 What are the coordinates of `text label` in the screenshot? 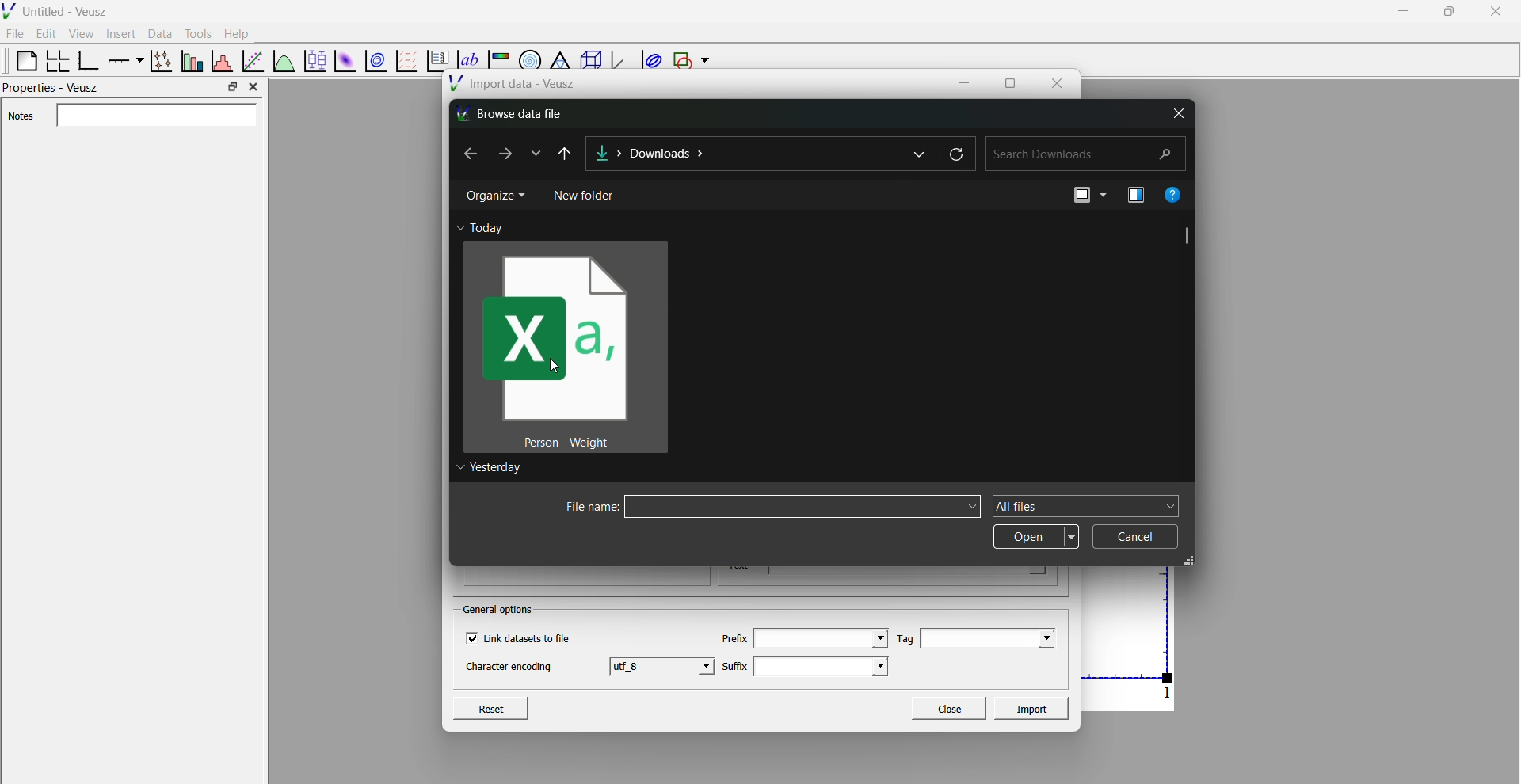 It's located at (466, 51).